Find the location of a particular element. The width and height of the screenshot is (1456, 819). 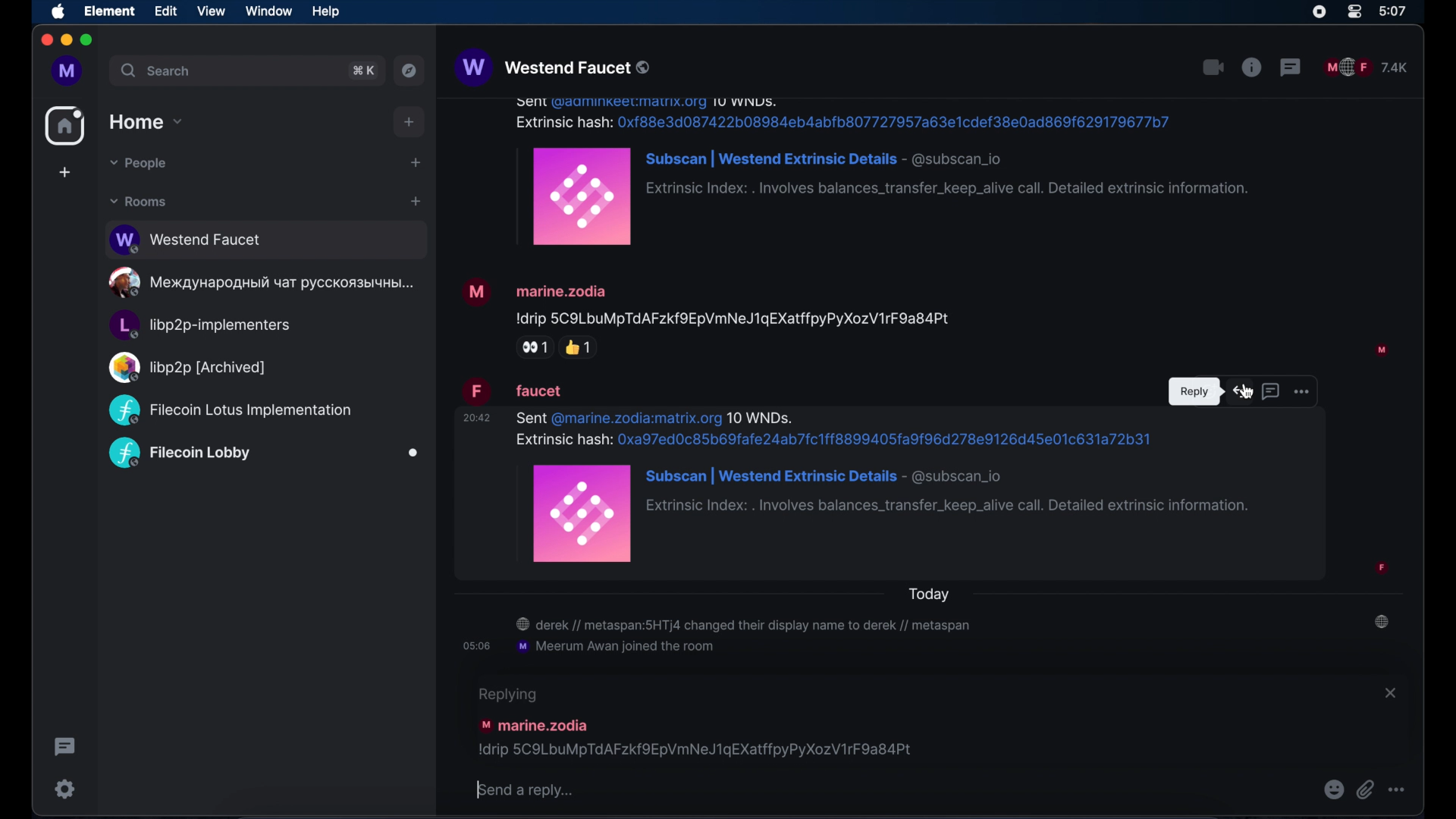

threads is located at coordinates (1291, 67).